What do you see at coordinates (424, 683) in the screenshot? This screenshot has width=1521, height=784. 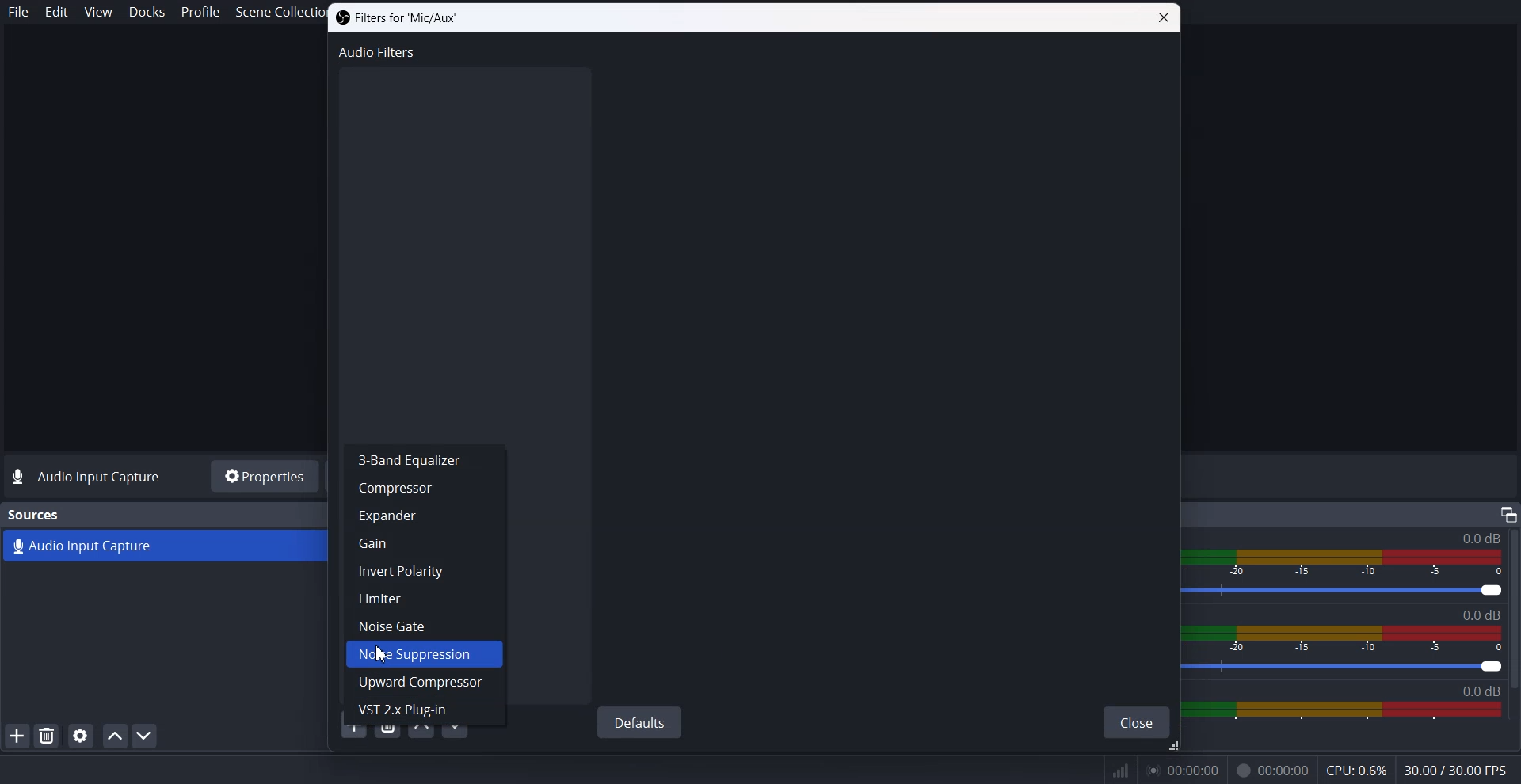 I see `Upward Compressor` at bounding box center [424, 683].